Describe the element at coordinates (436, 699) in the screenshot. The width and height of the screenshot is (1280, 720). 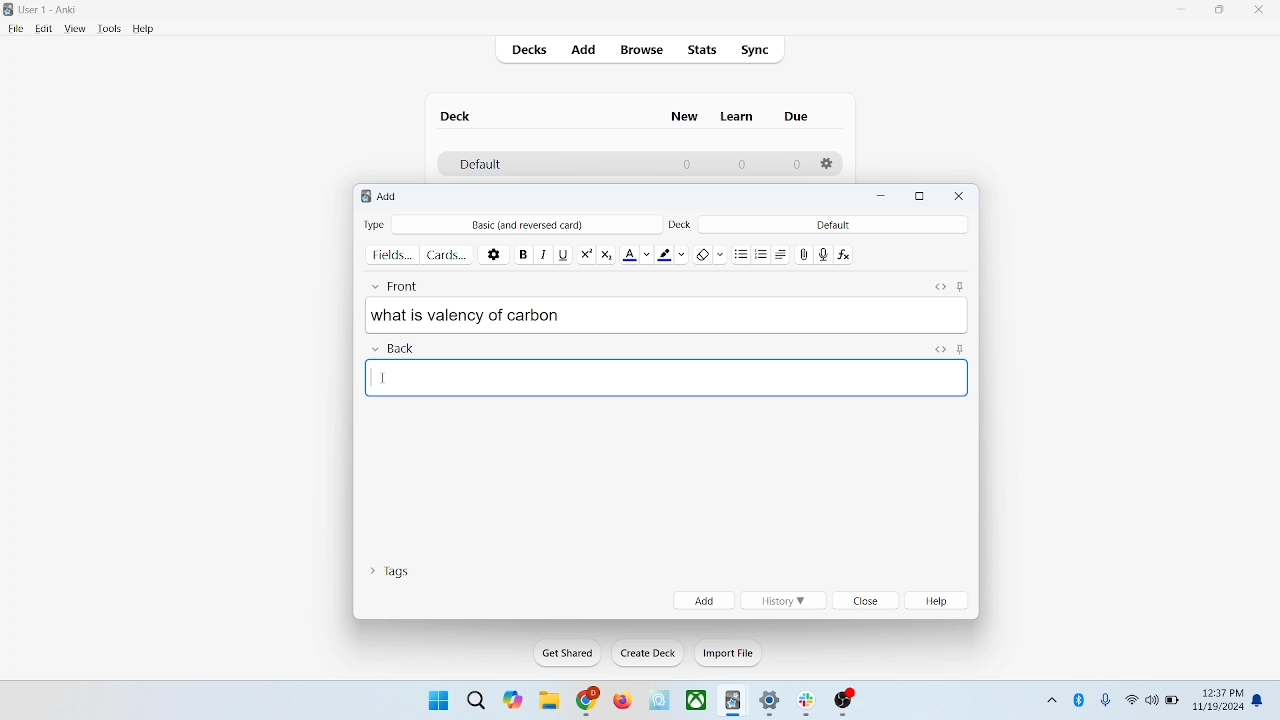
I see `window` at that location.